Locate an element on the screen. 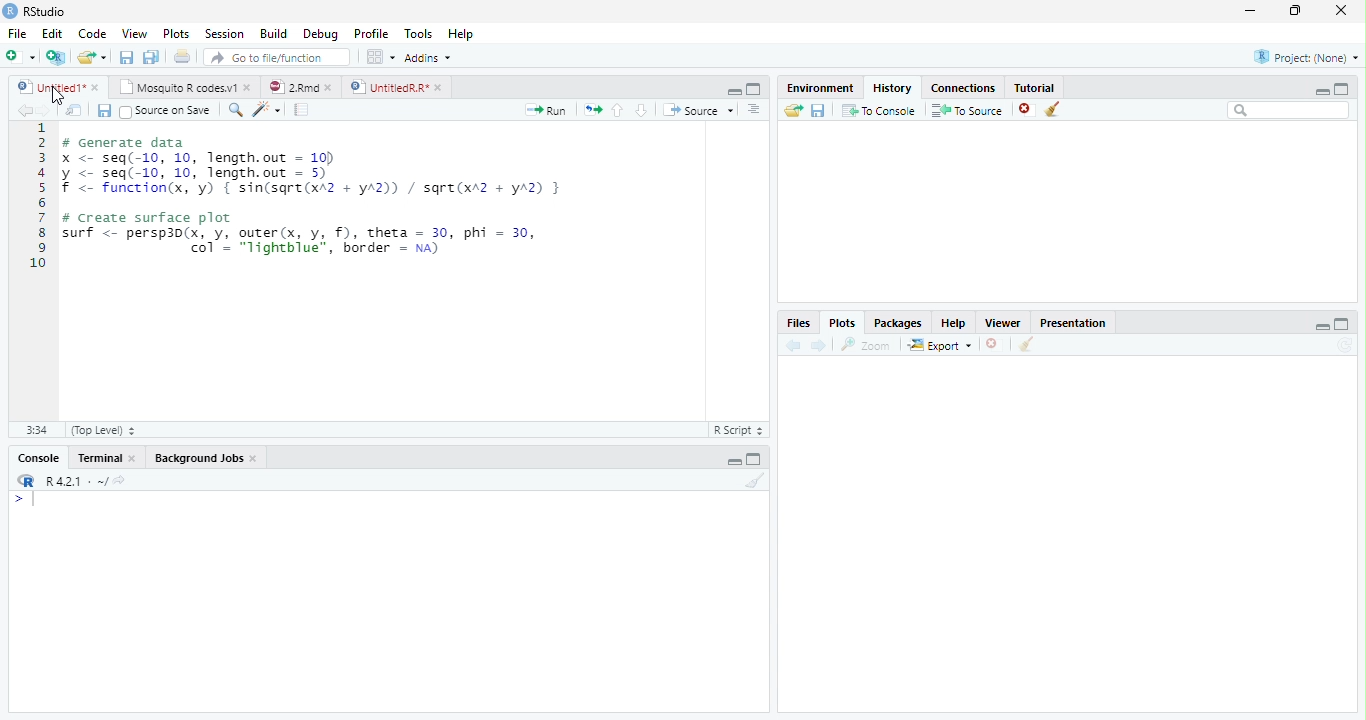  Untitled1* is located at coordinates (48, 86).